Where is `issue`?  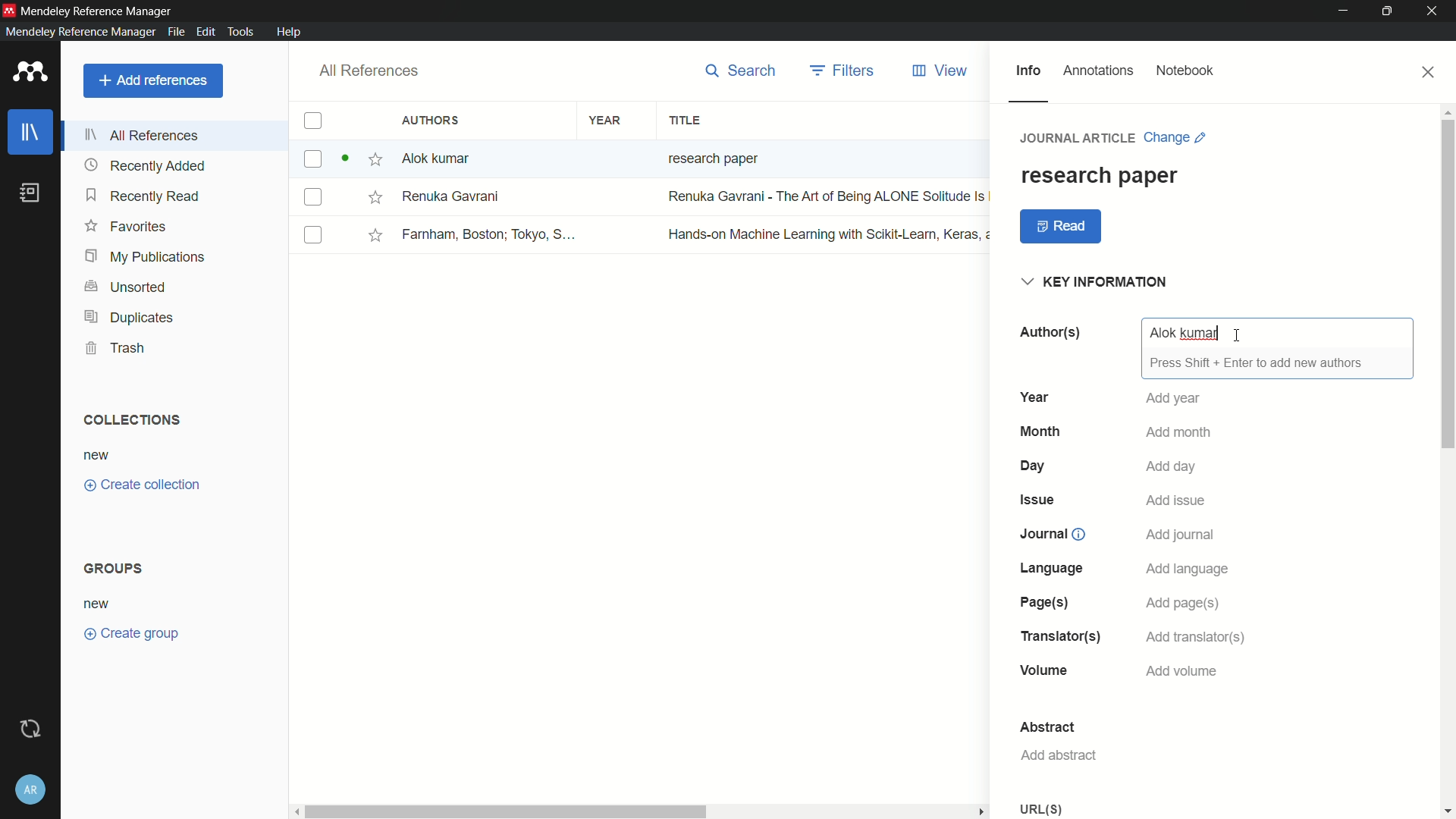 issue is located at coordinates (1036, 500).